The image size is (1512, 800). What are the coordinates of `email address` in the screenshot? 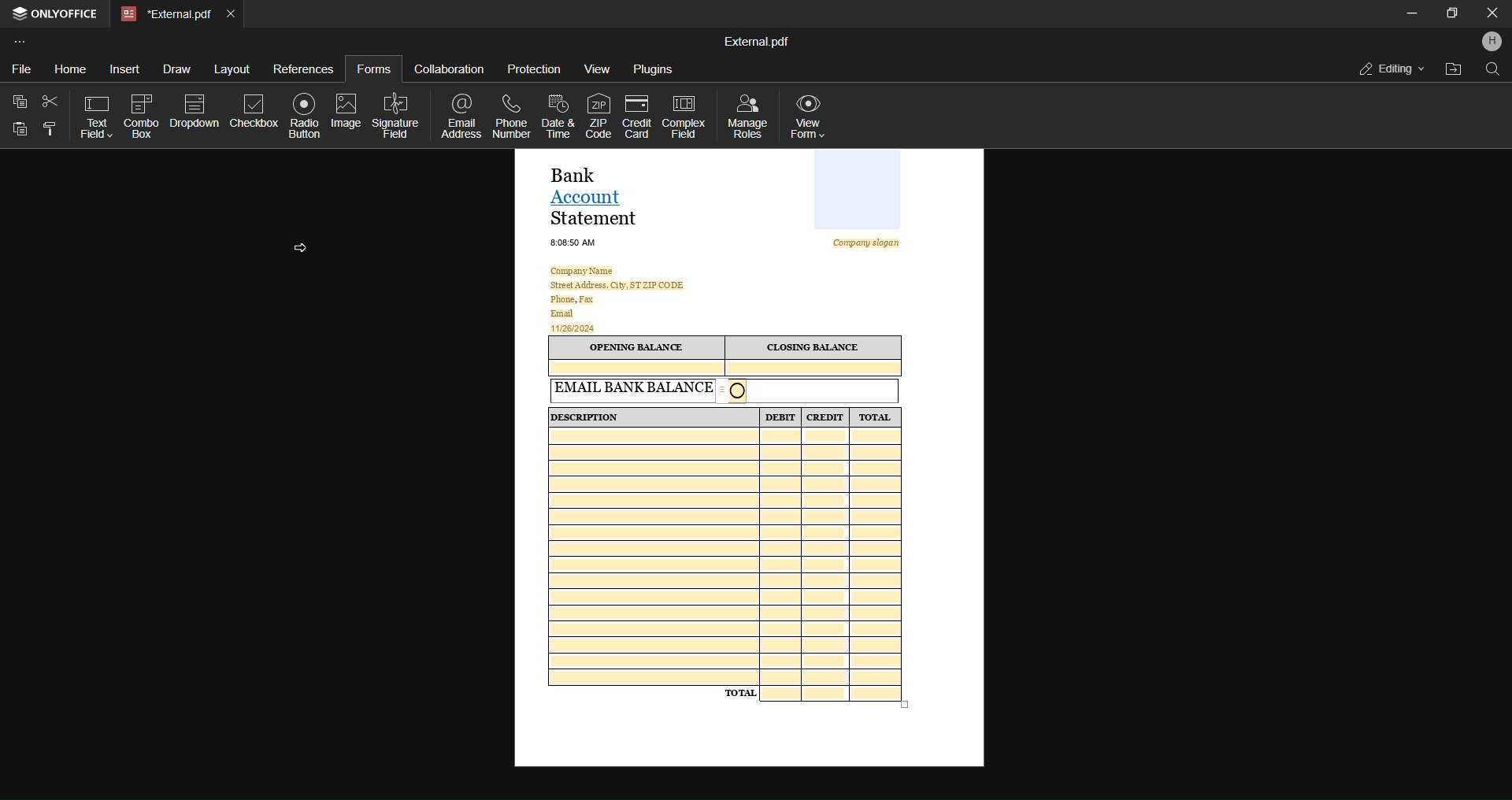 It's located at (461, 116).